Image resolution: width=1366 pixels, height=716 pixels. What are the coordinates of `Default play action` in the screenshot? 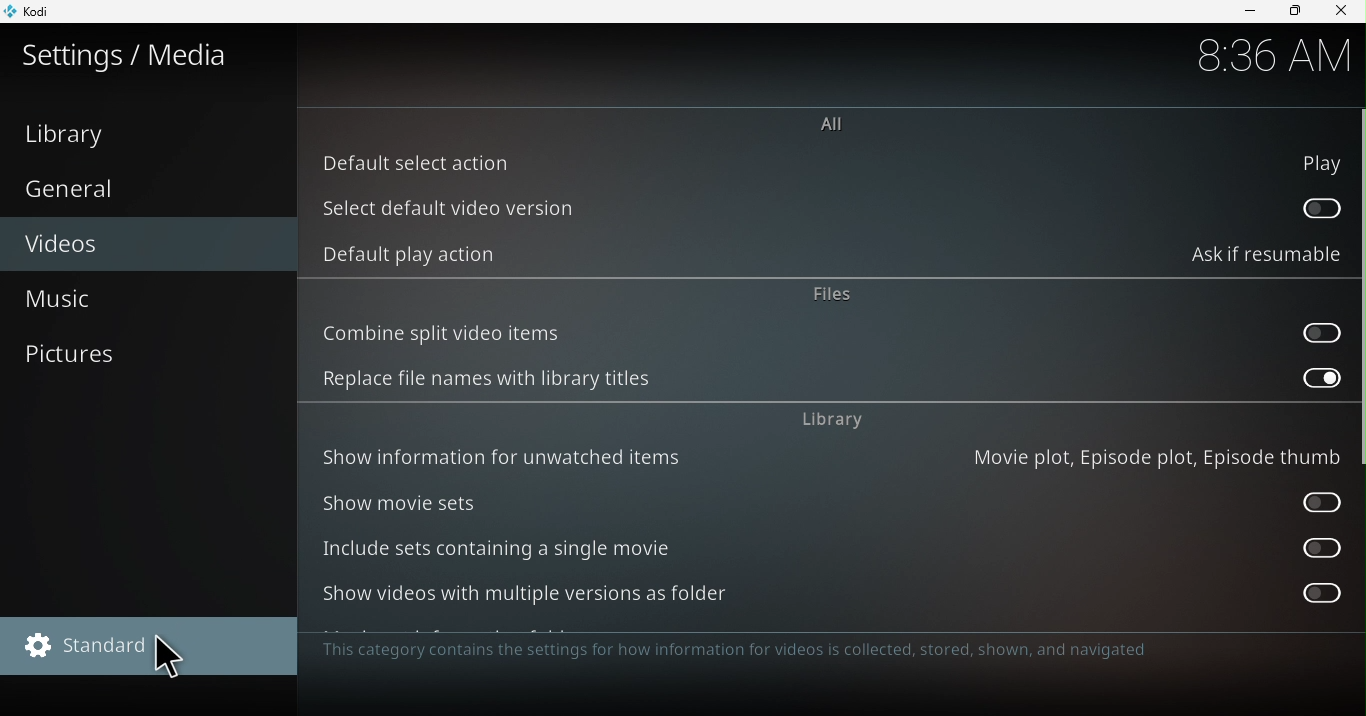 It's located at (826, 256).